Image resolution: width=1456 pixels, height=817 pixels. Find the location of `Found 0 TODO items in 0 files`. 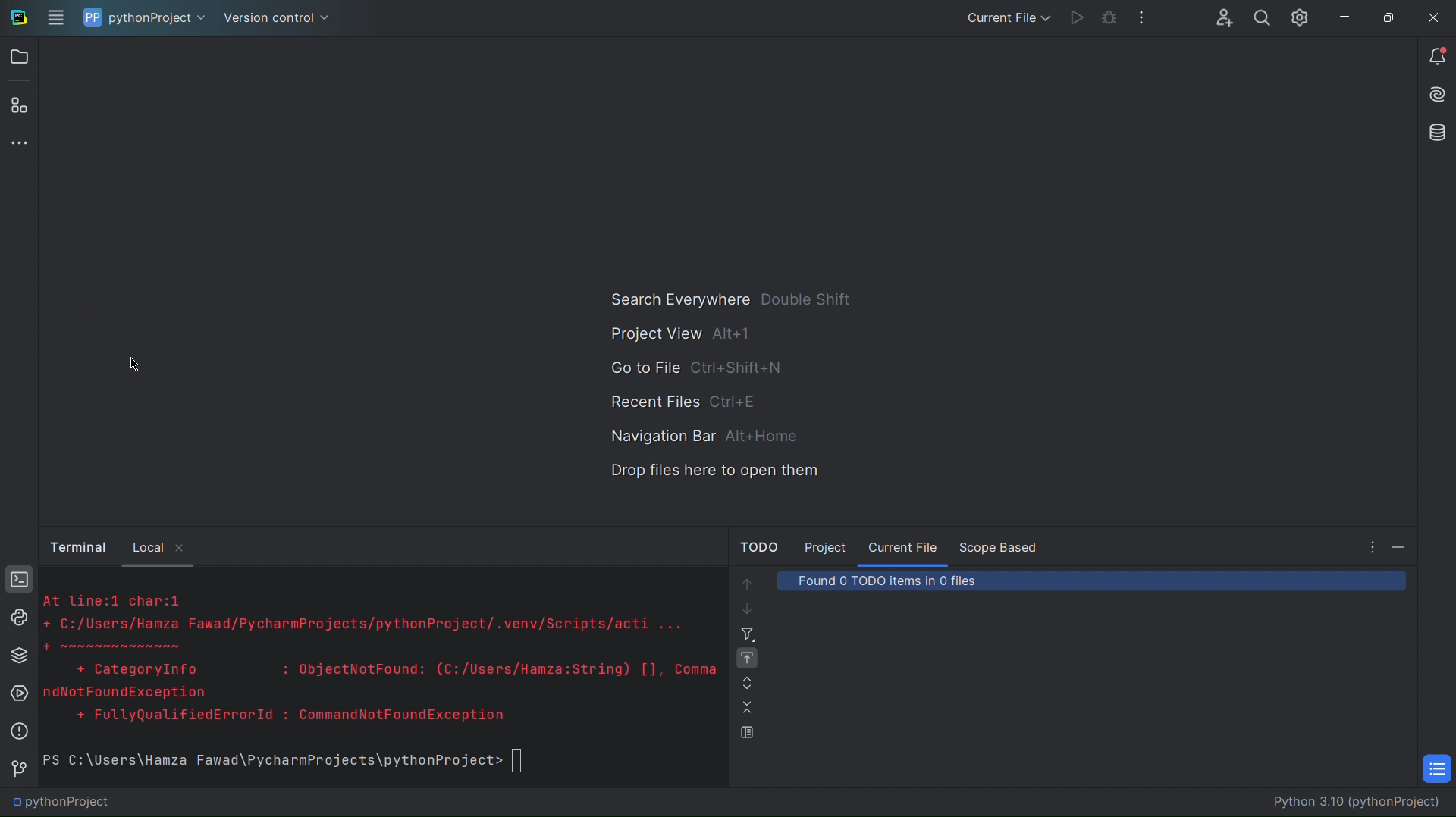

Found 0 TODO items in 0 files is located at coordinates (921, 581).